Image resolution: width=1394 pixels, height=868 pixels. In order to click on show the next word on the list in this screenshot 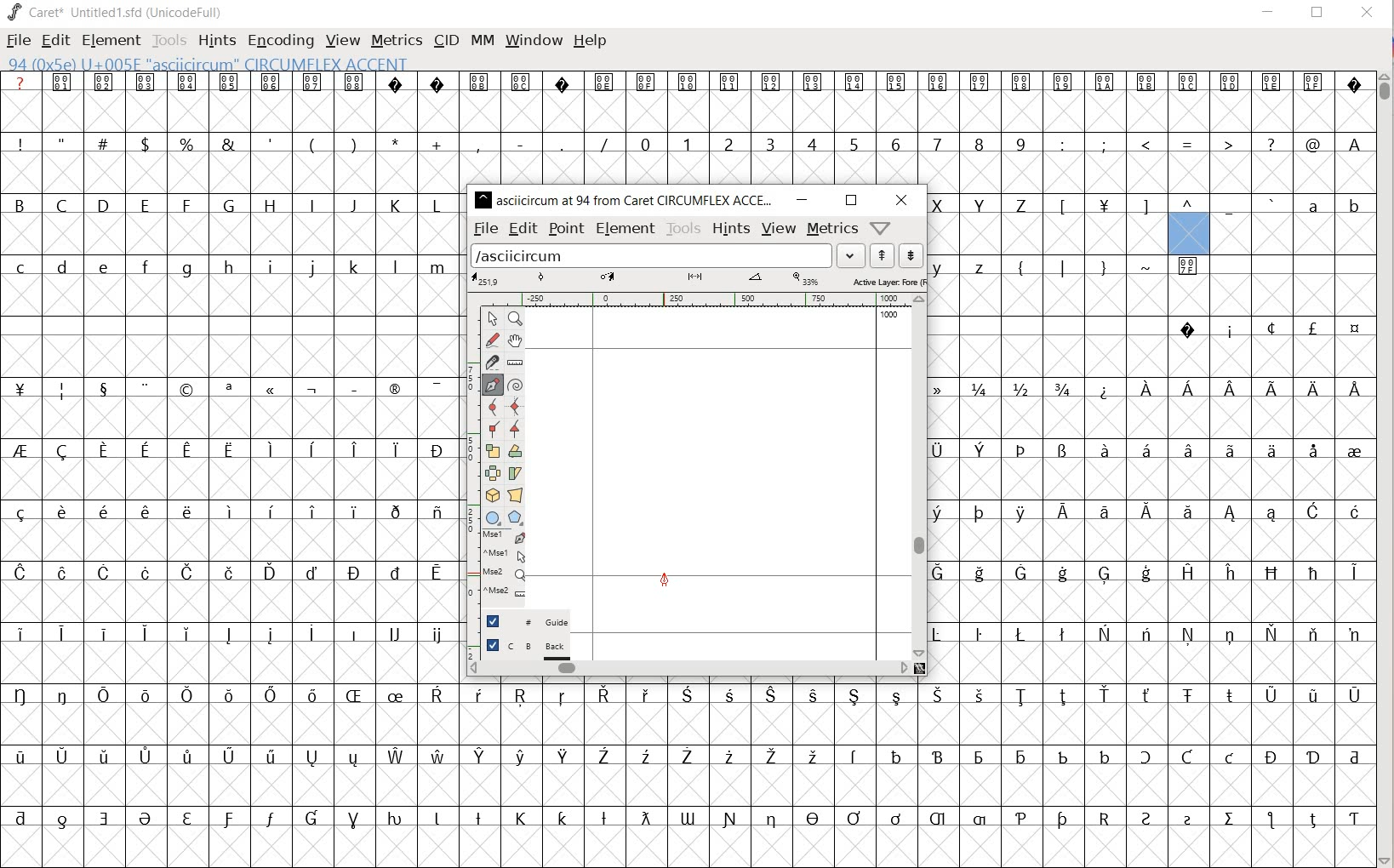, I will do `click(883, 257)`.